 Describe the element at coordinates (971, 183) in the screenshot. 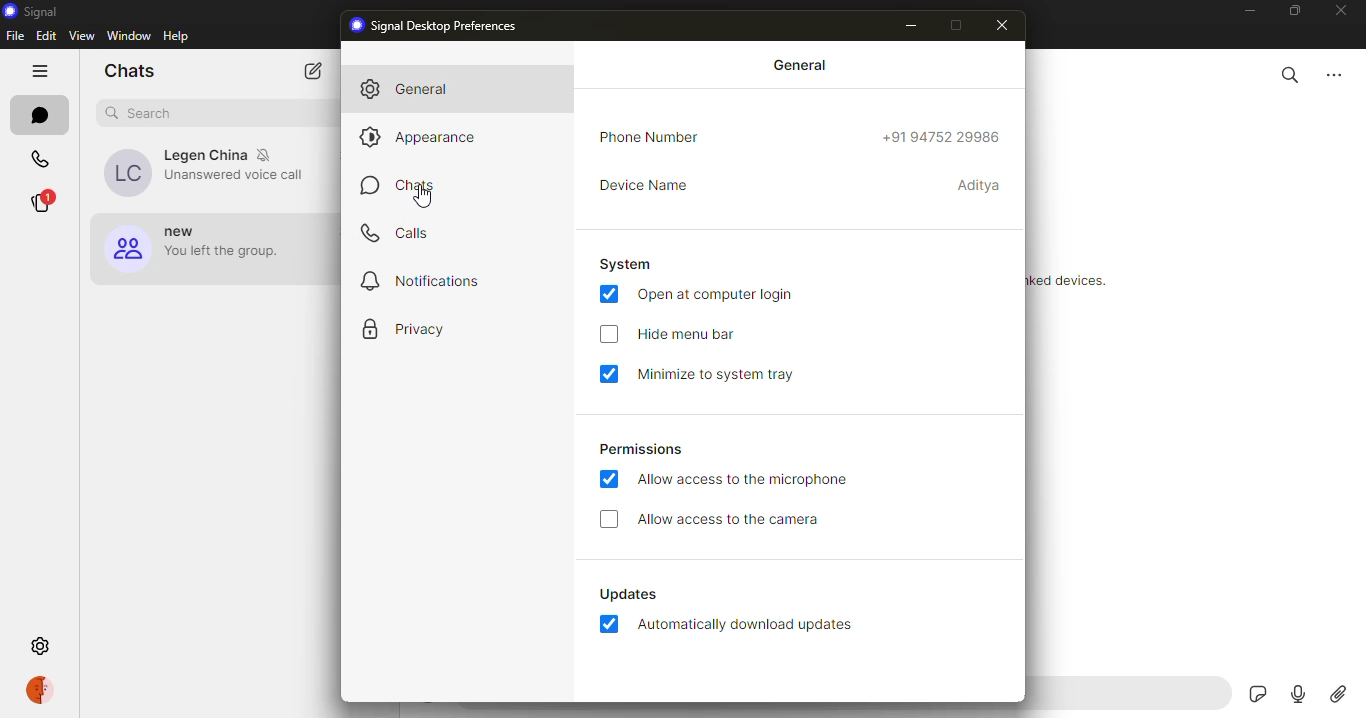

I see `name` at that location.